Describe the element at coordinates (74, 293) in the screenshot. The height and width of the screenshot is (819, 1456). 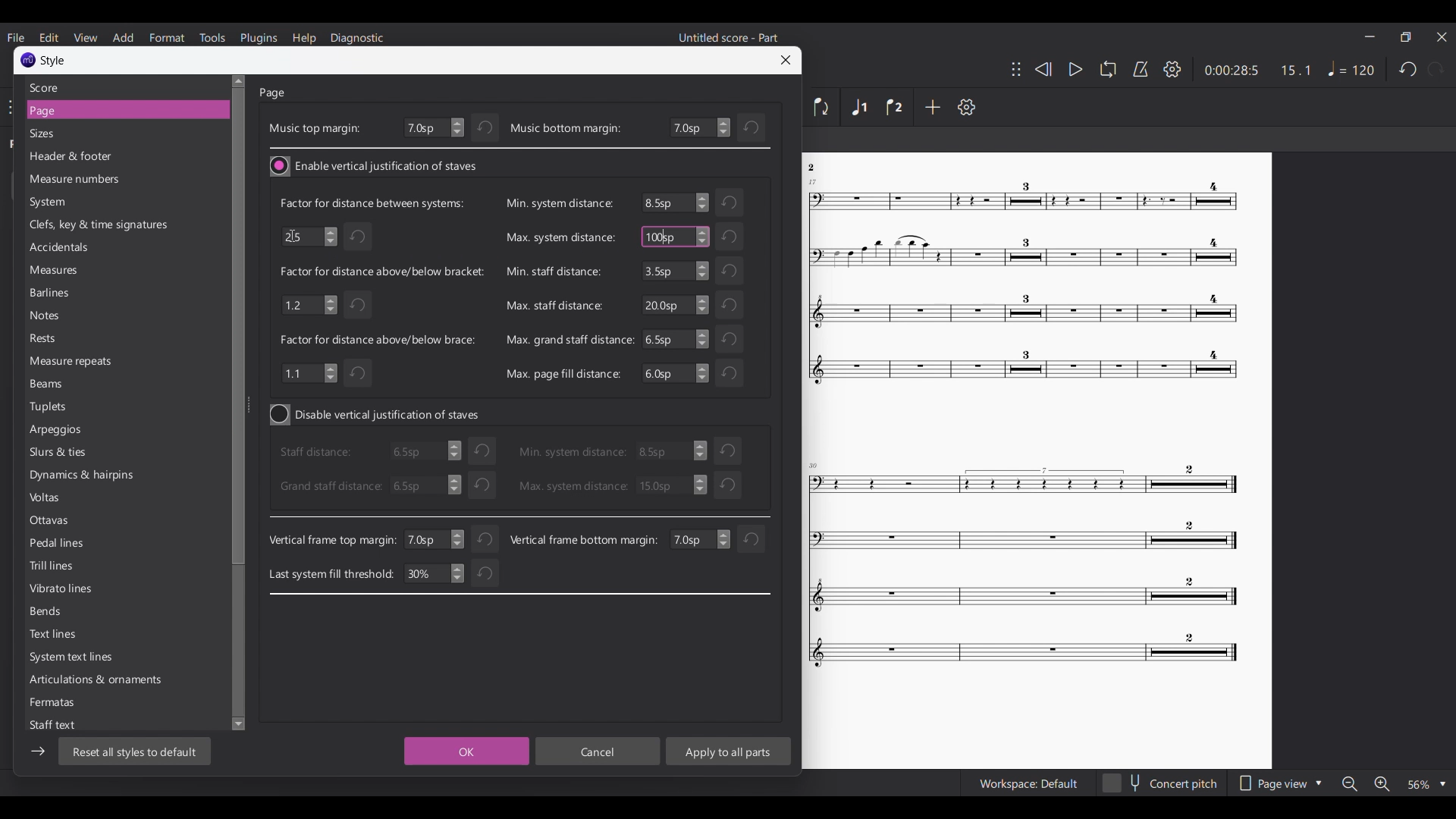
I see `Barlines` at that location.